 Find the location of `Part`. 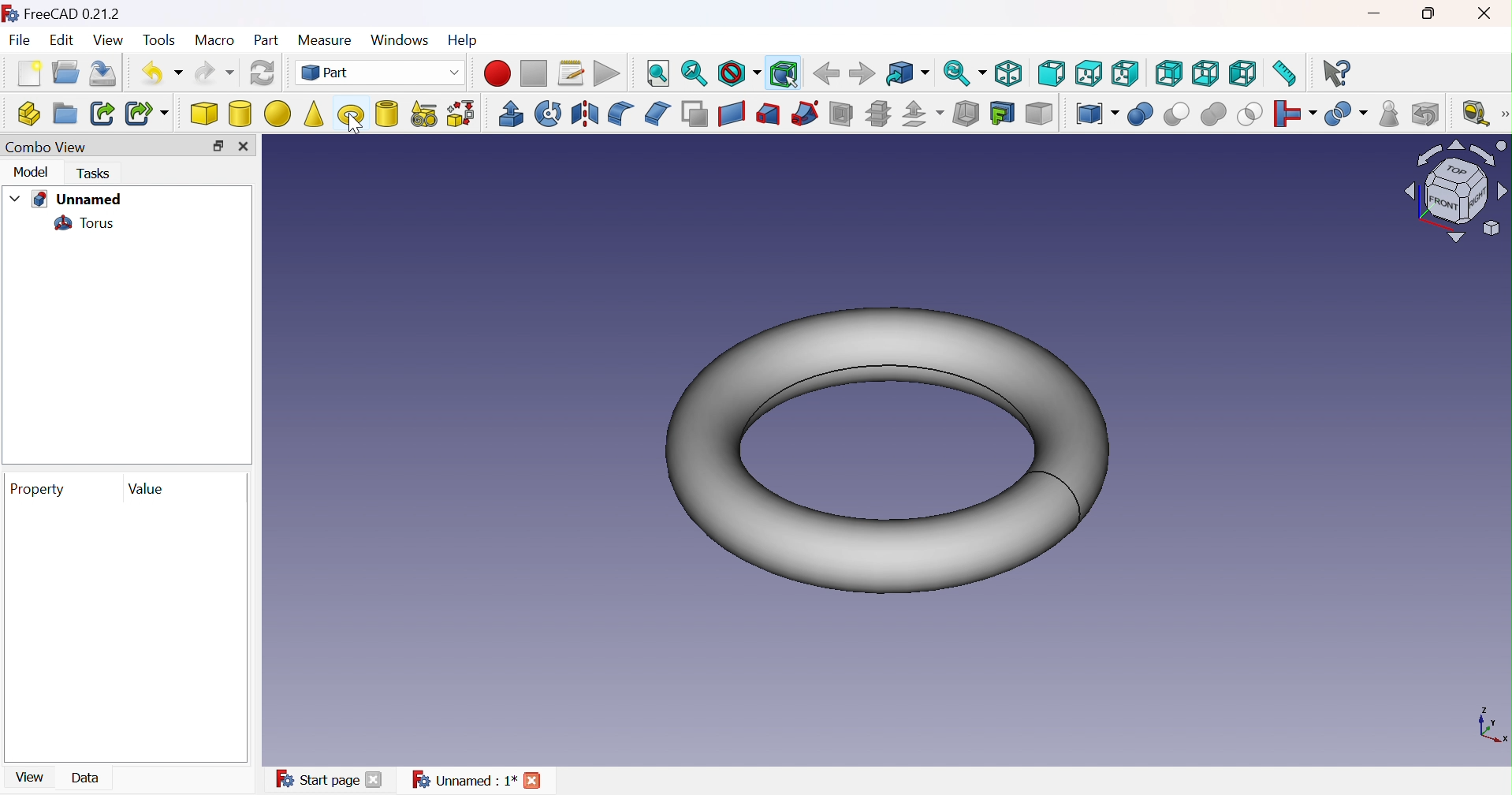

Part is located at coordinates (385, 72).